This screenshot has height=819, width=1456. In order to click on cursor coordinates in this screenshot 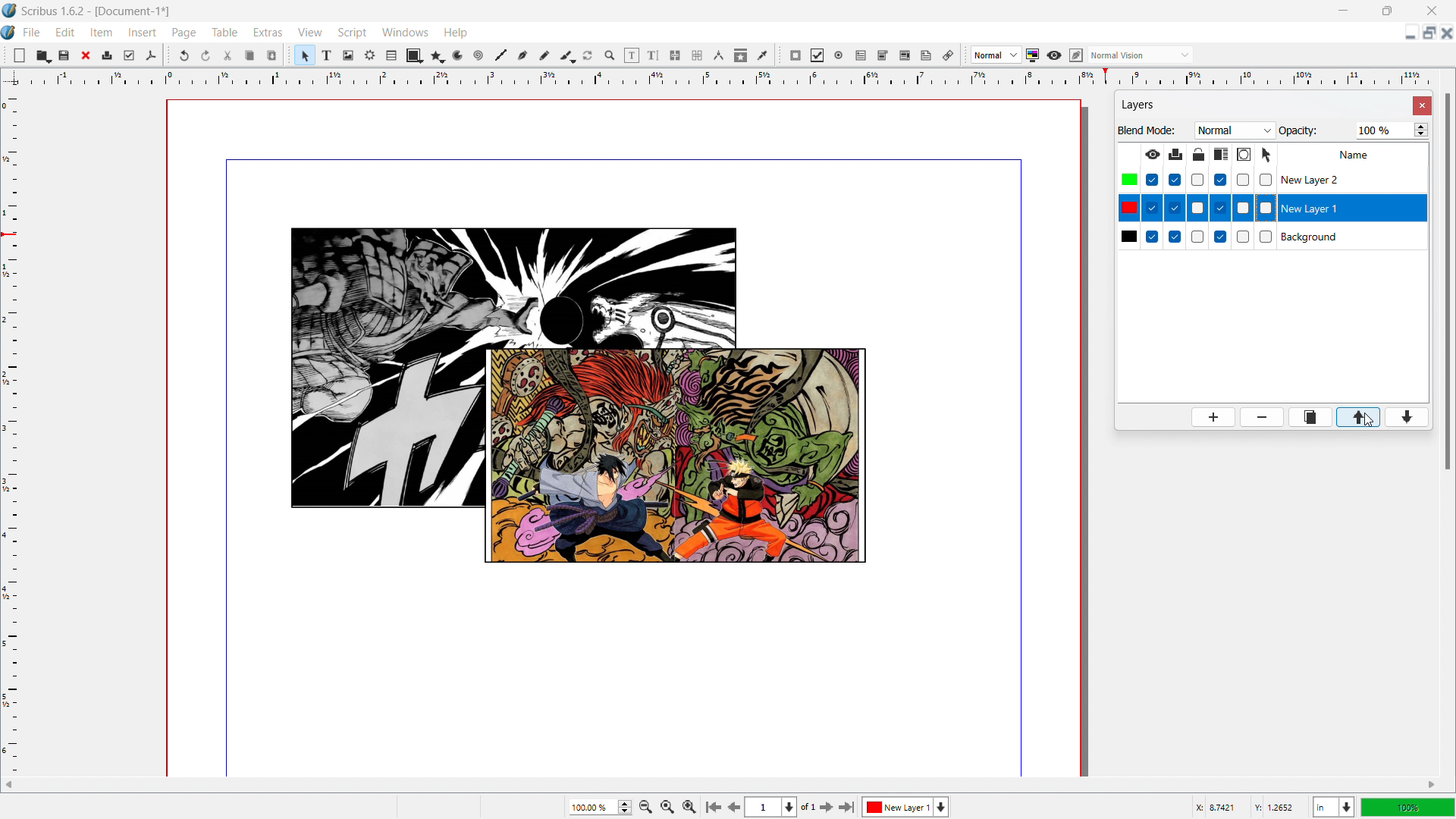, I will do `click(1247, 805)`.